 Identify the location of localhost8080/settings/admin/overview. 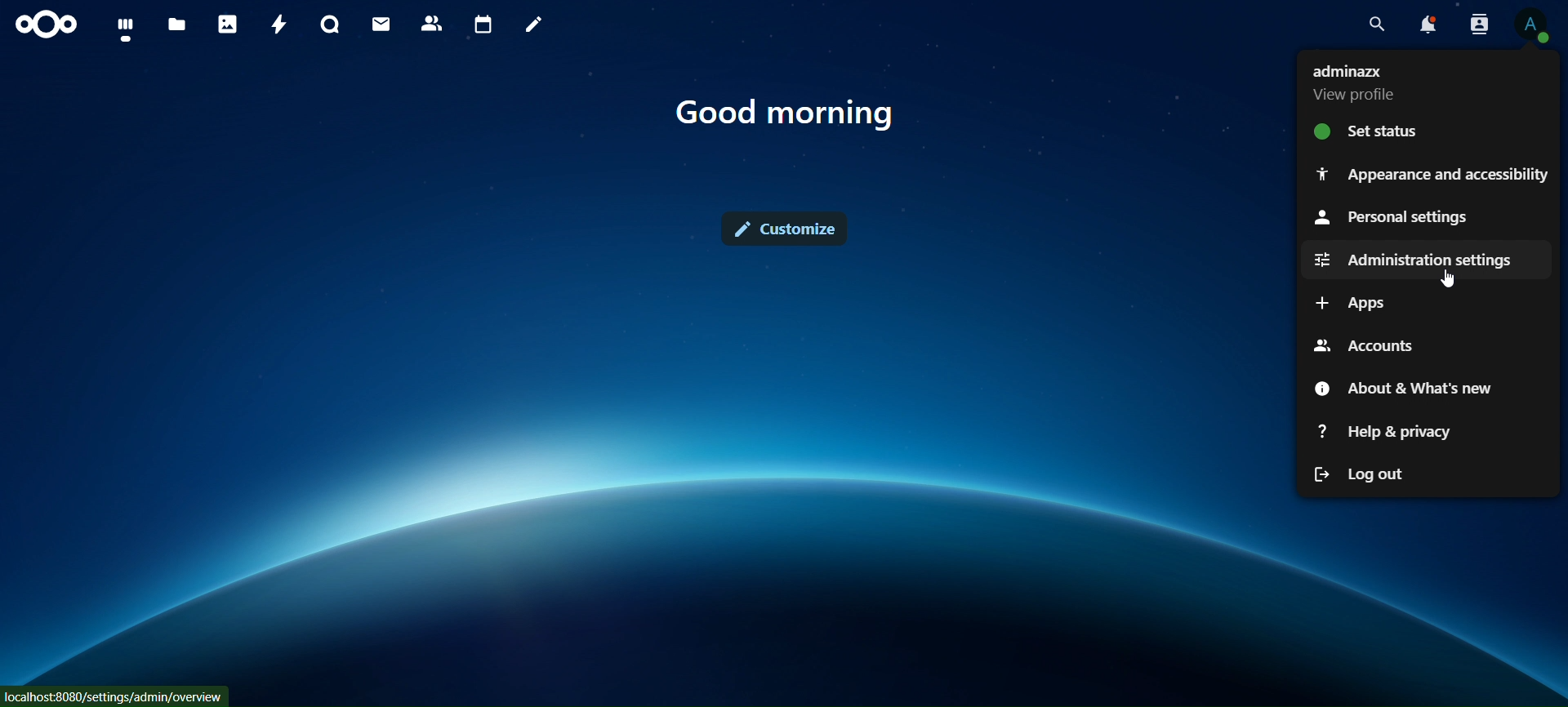
(116, 695).